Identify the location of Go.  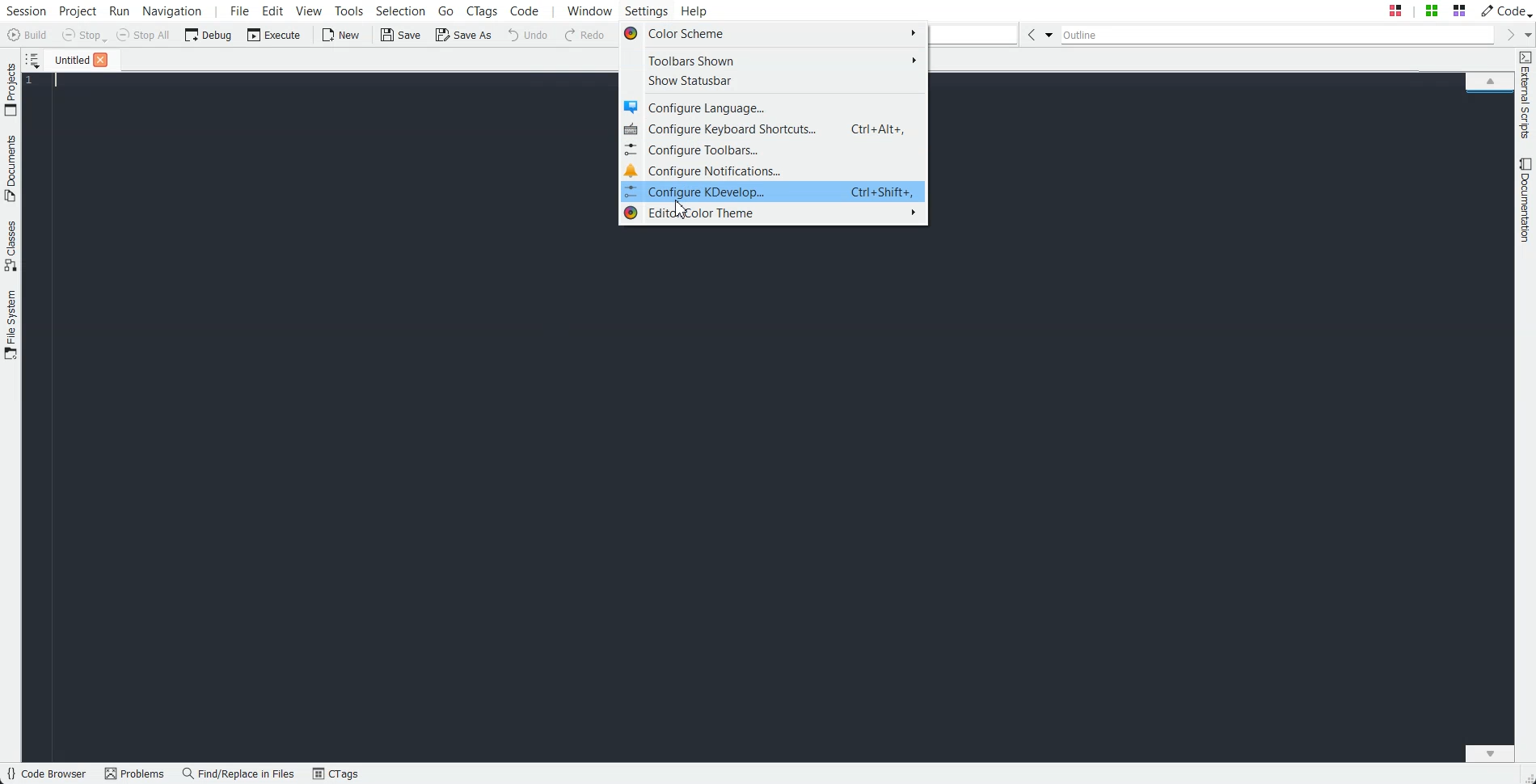
(448, 10).